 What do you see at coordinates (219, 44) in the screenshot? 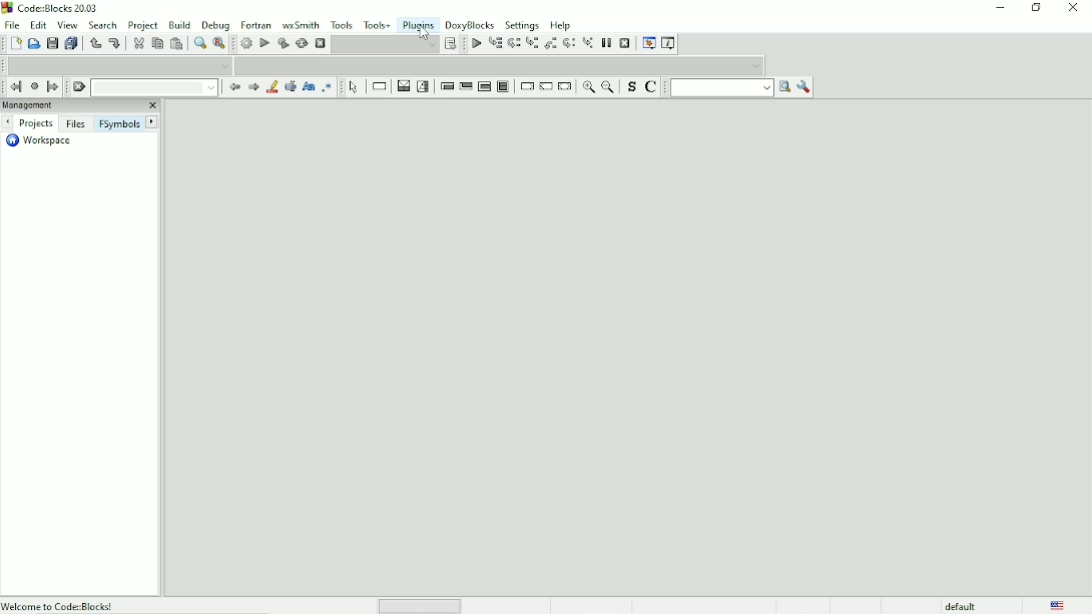
I see `Replace` at bounding box center [219, 44].